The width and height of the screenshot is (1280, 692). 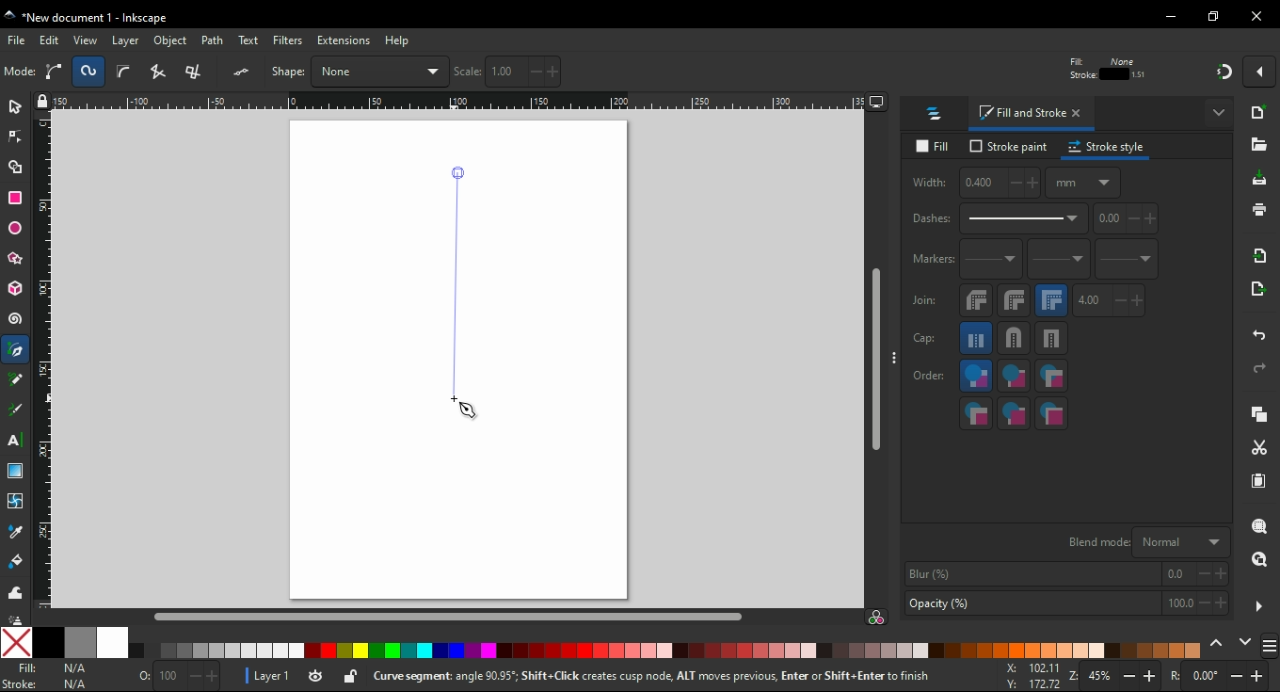 I want to click on rasie to top, so click(x=328, y=71).